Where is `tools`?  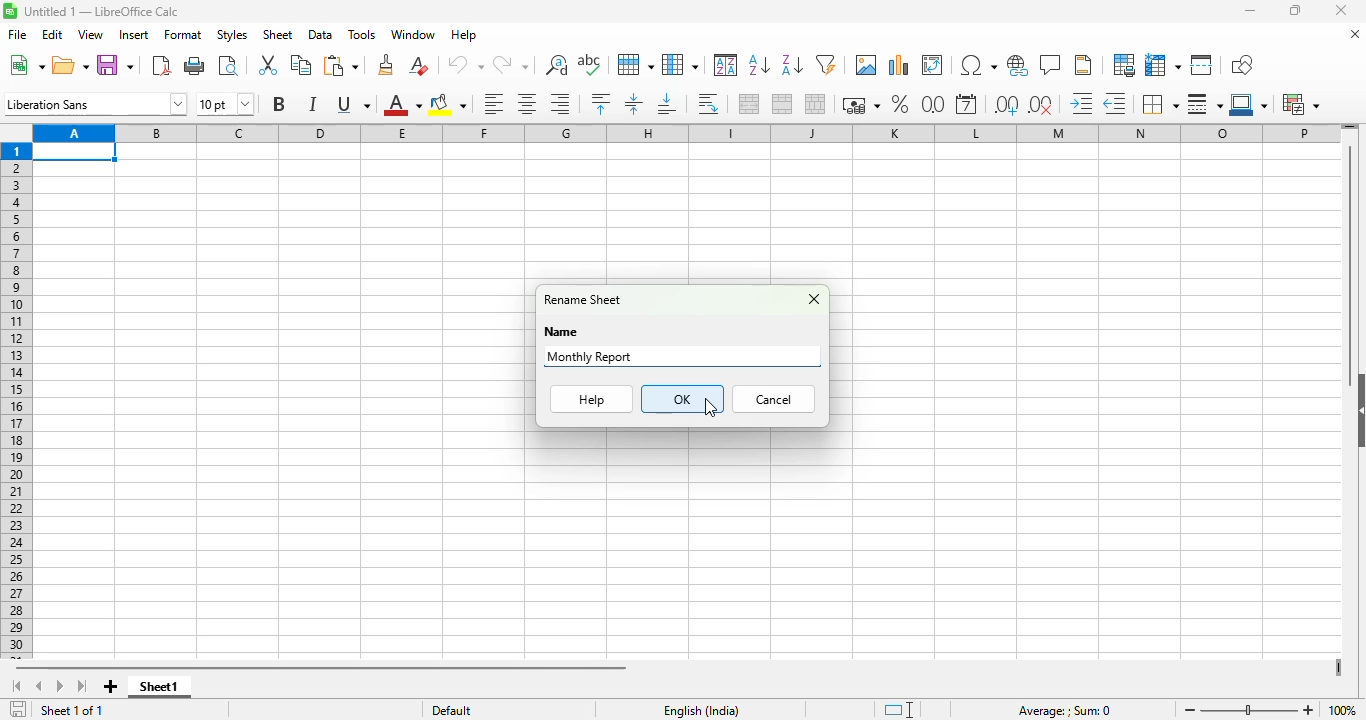 tools is located at coordinates (362, 34).